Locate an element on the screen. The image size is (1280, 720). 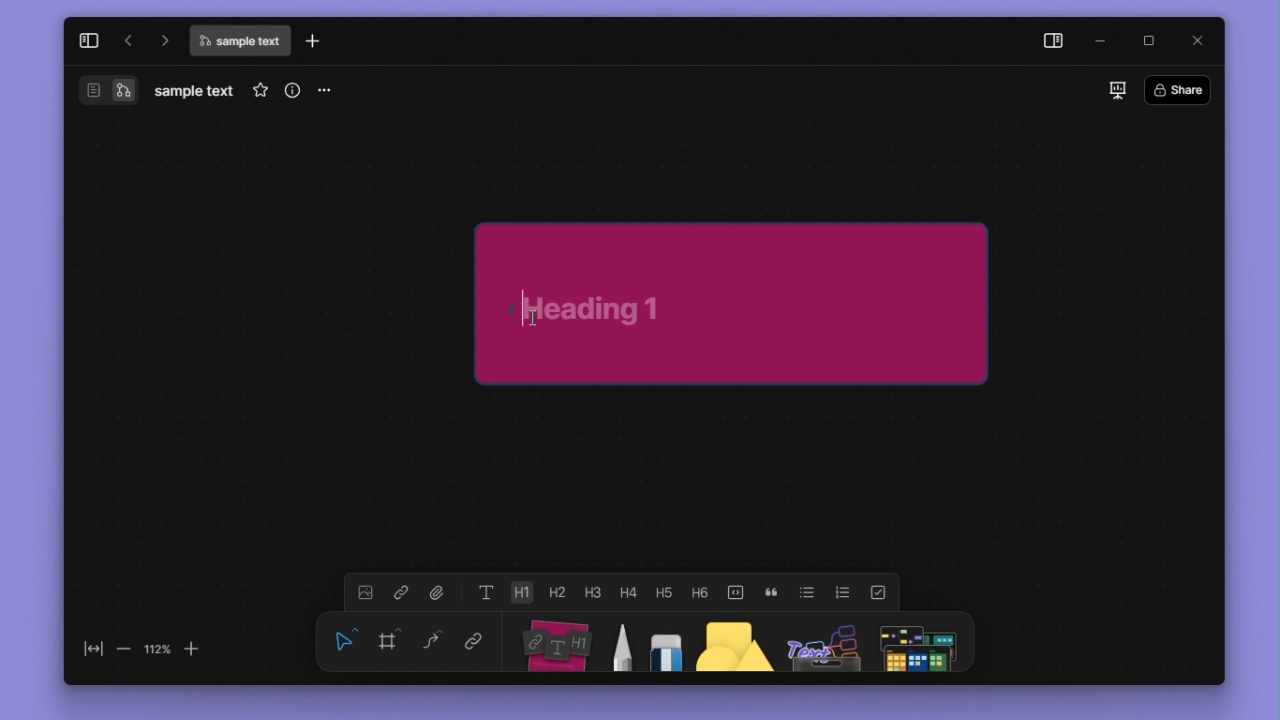
Heading 3 is located at coordinates (592, 592).